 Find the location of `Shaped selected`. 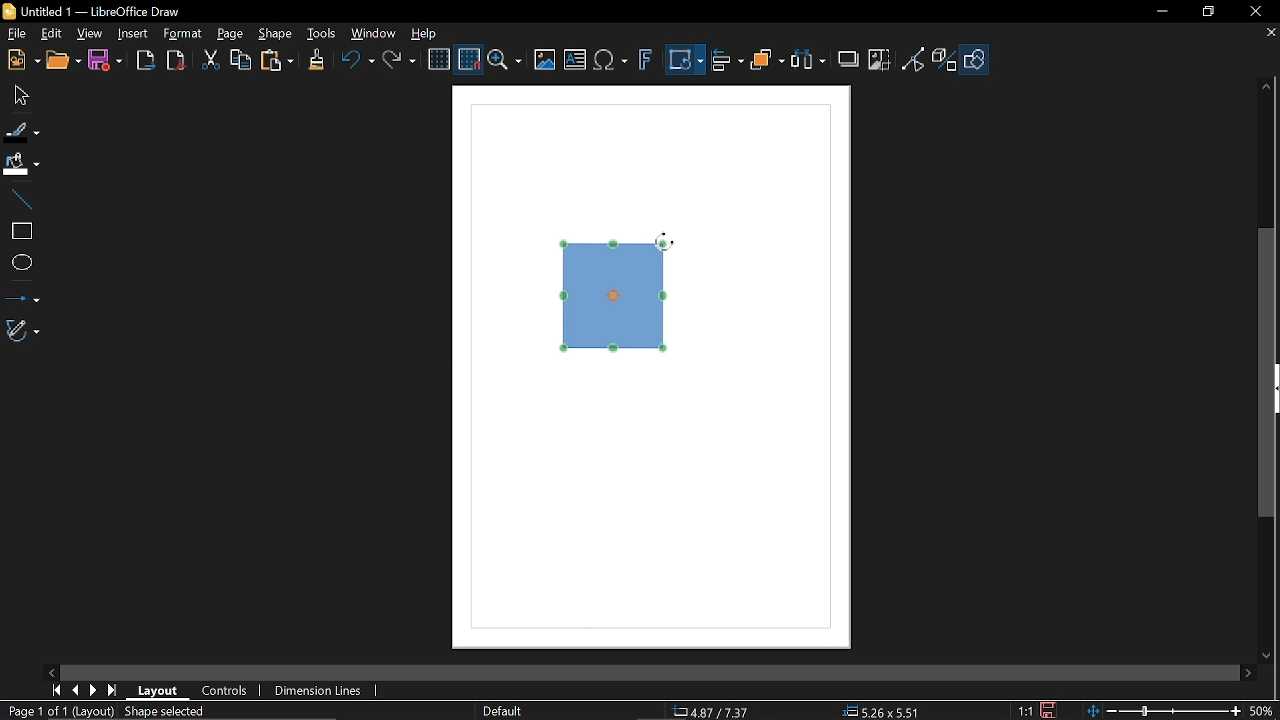

Shaped selected is located at coordinates (169, 711).